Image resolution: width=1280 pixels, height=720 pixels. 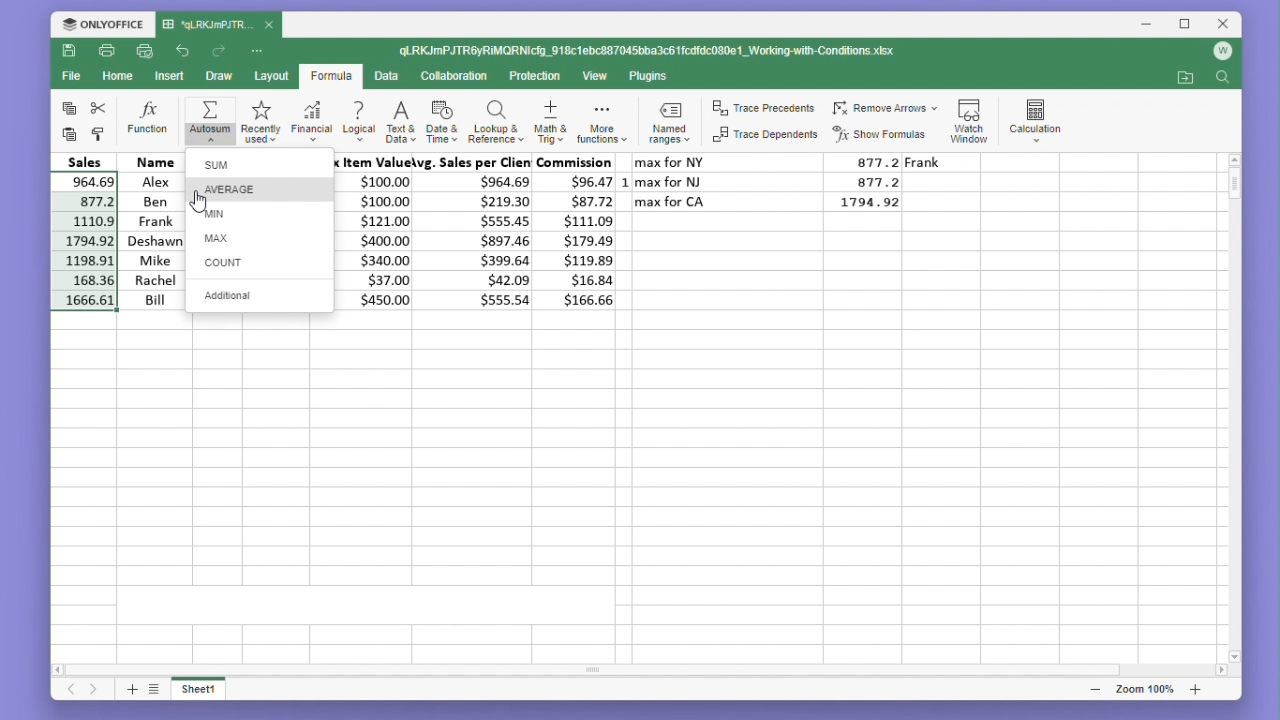 What do you see at coordinates (260, 164) in the screenshot?
I see `sum` at bounding box center [260, 164].